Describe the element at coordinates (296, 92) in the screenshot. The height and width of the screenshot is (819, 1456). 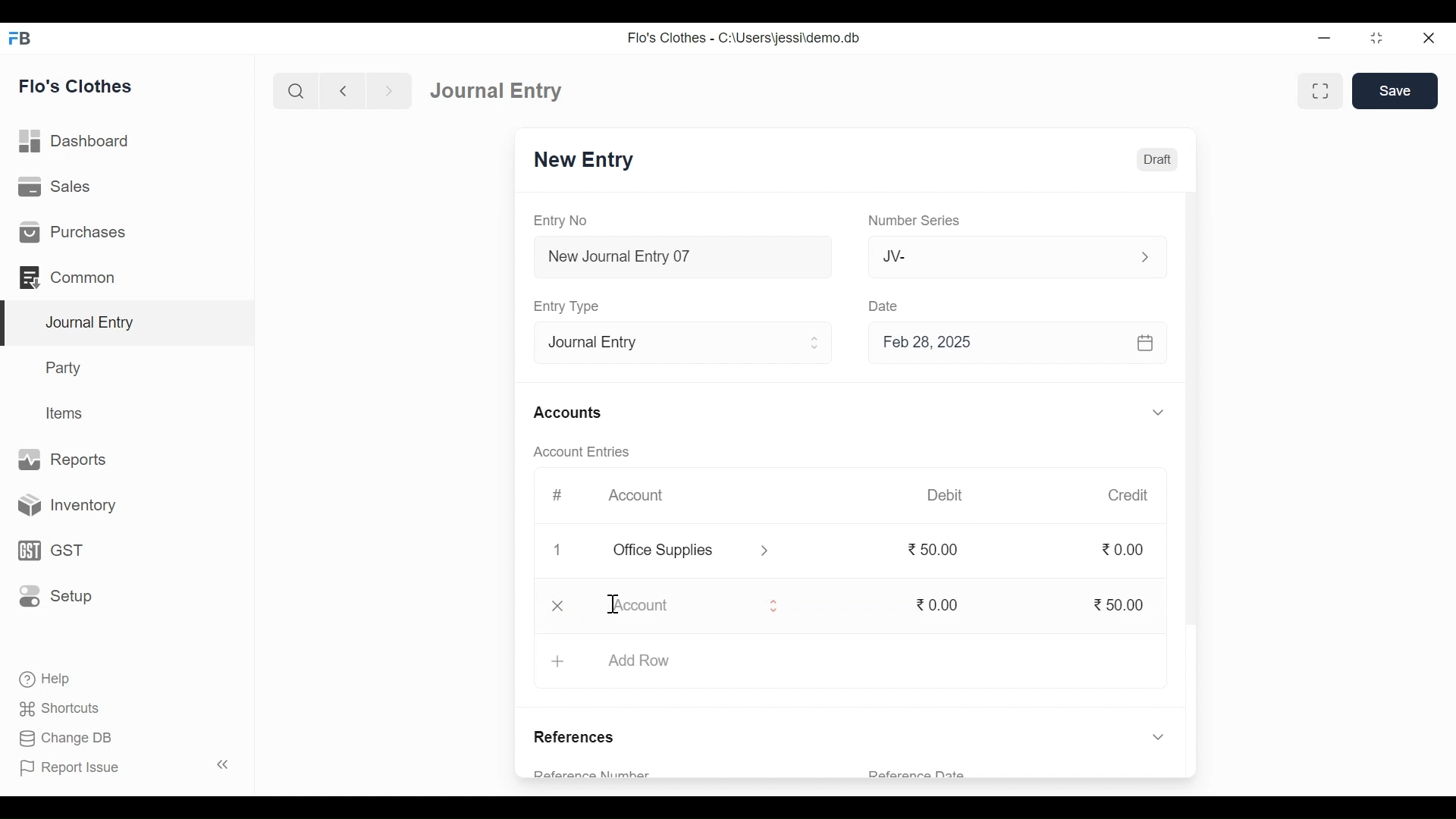
I see `Search` at that location.